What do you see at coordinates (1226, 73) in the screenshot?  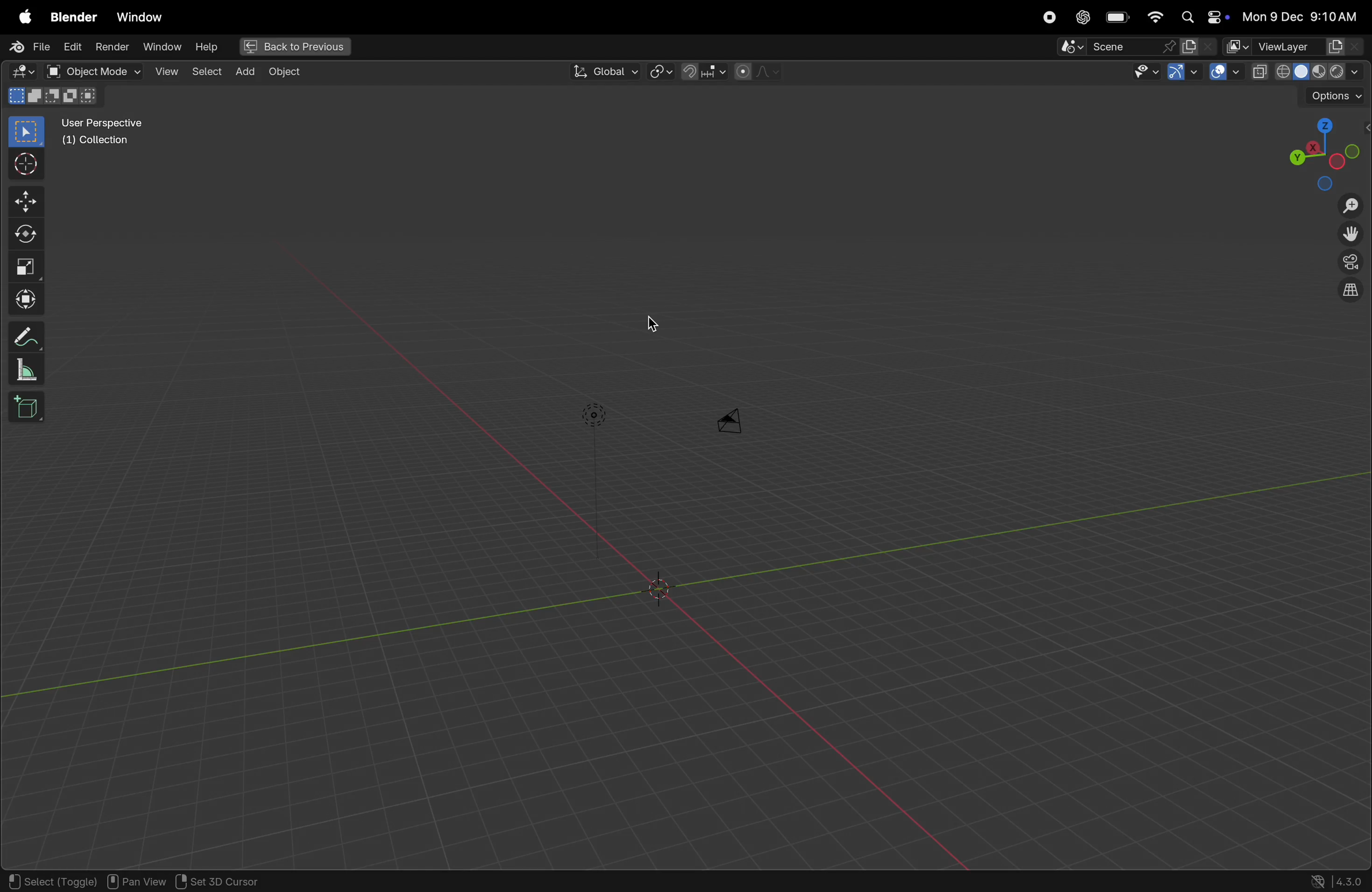 I see `show overlays` at bounding box center [1226, 73].